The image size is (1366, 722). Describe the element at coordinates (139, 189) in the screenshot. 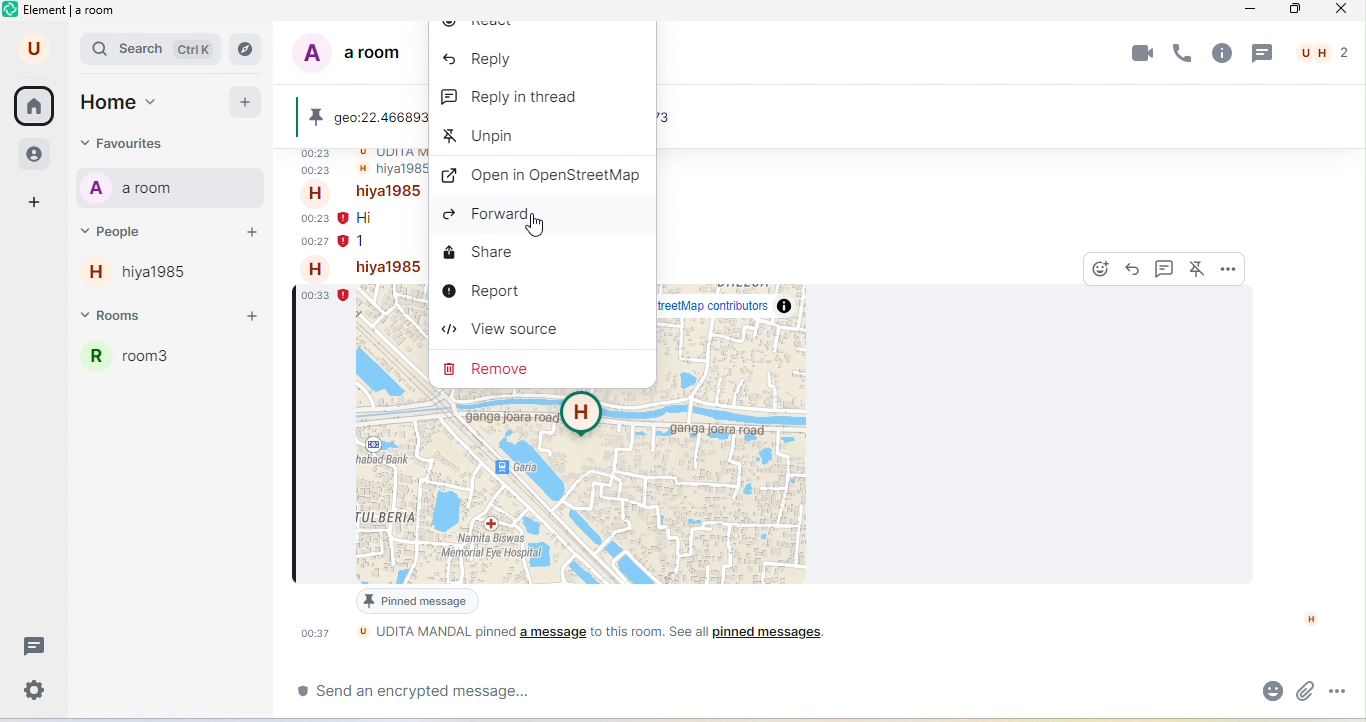

I see `a room` at that location.